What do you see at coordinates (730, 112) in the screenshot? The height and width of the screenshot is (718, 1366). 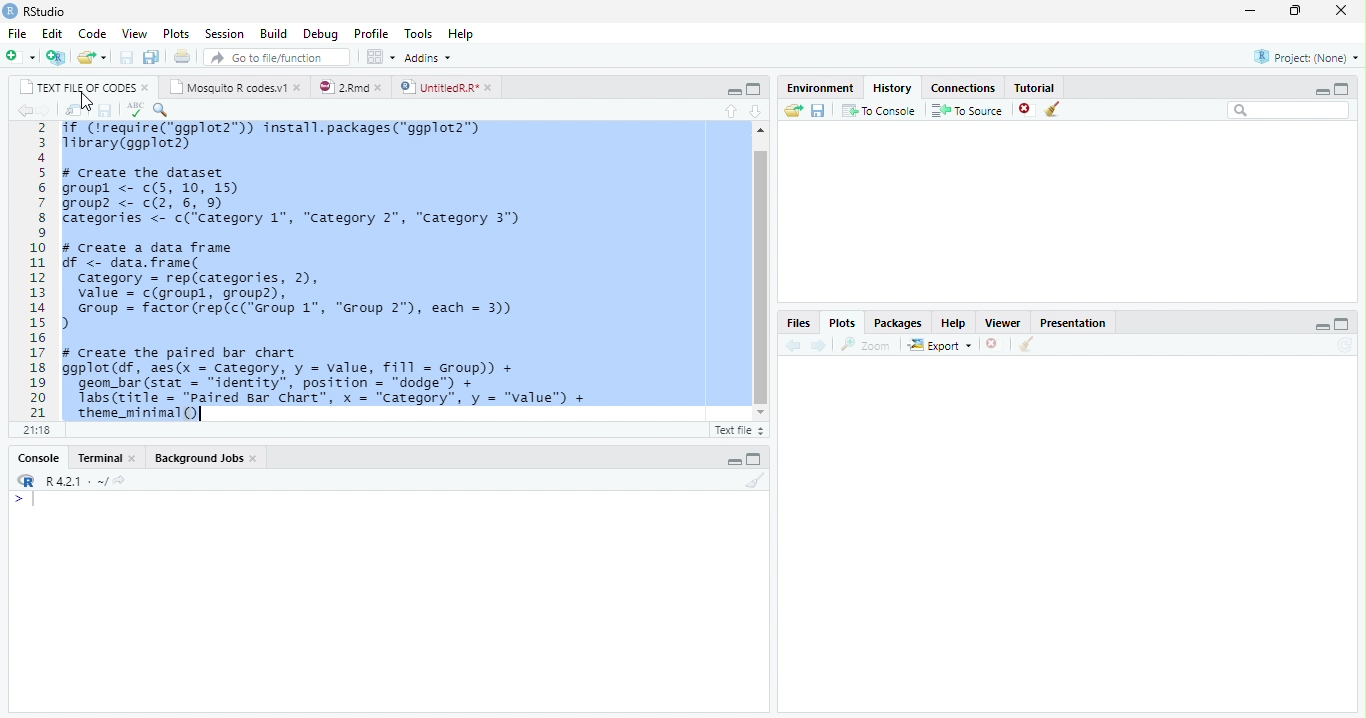 I see `go to previous section` at bounding box center [730, 112].